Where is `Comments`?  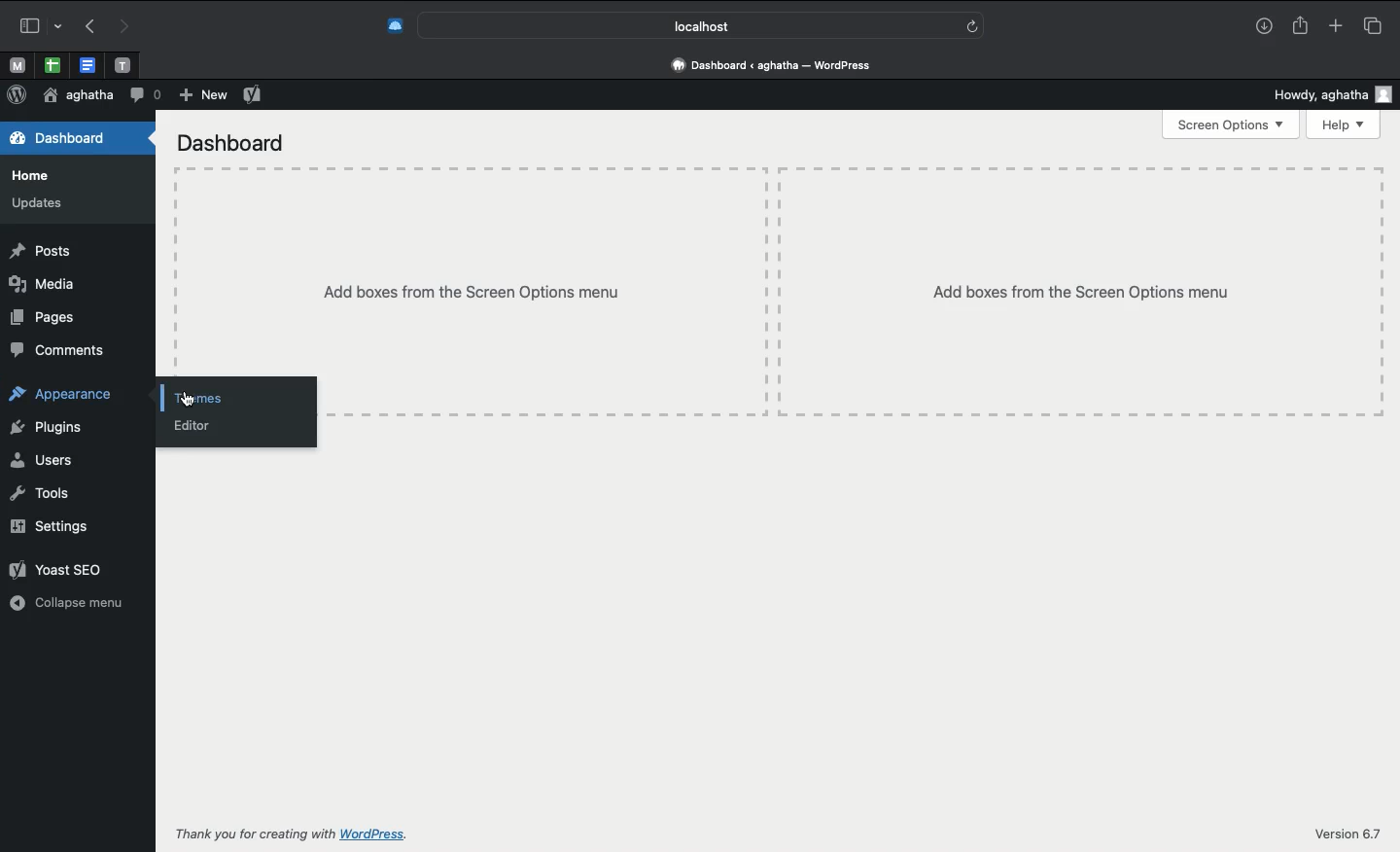
Comments is located at coordinates (53, 350).